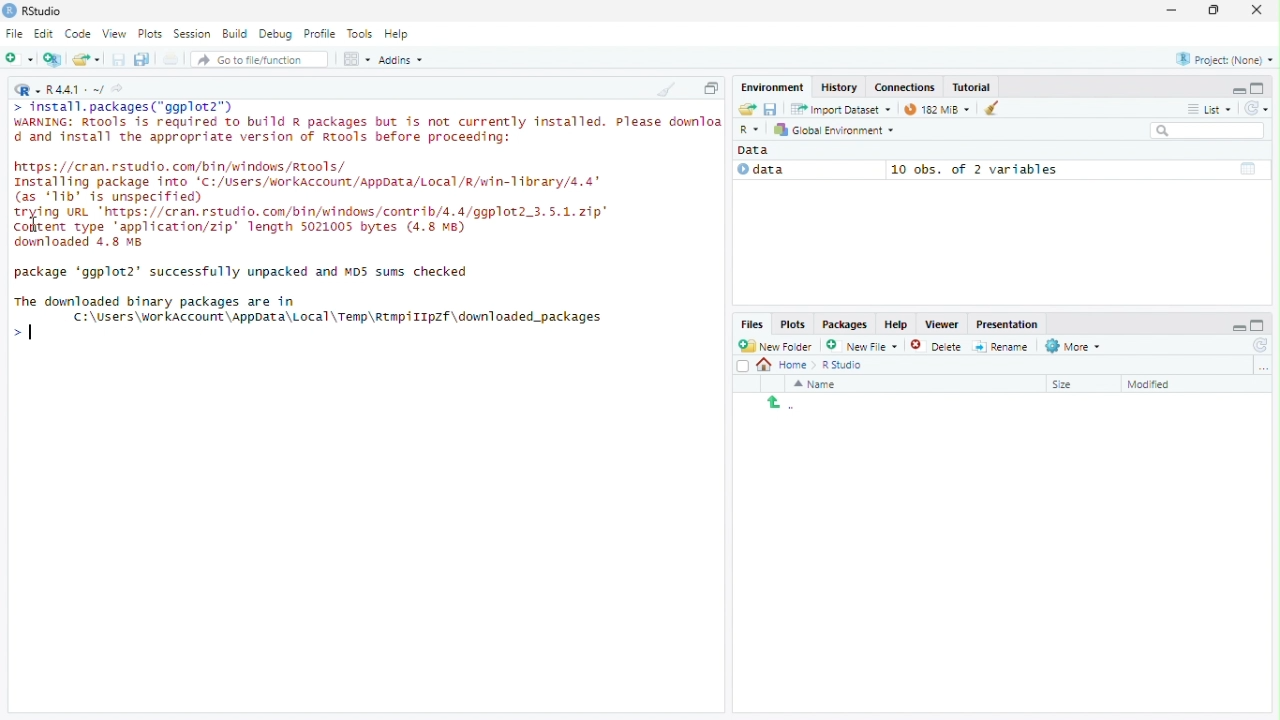  Describe the element at coordinates (1173, 11) in the screenshot. I see `minimize` at that location.